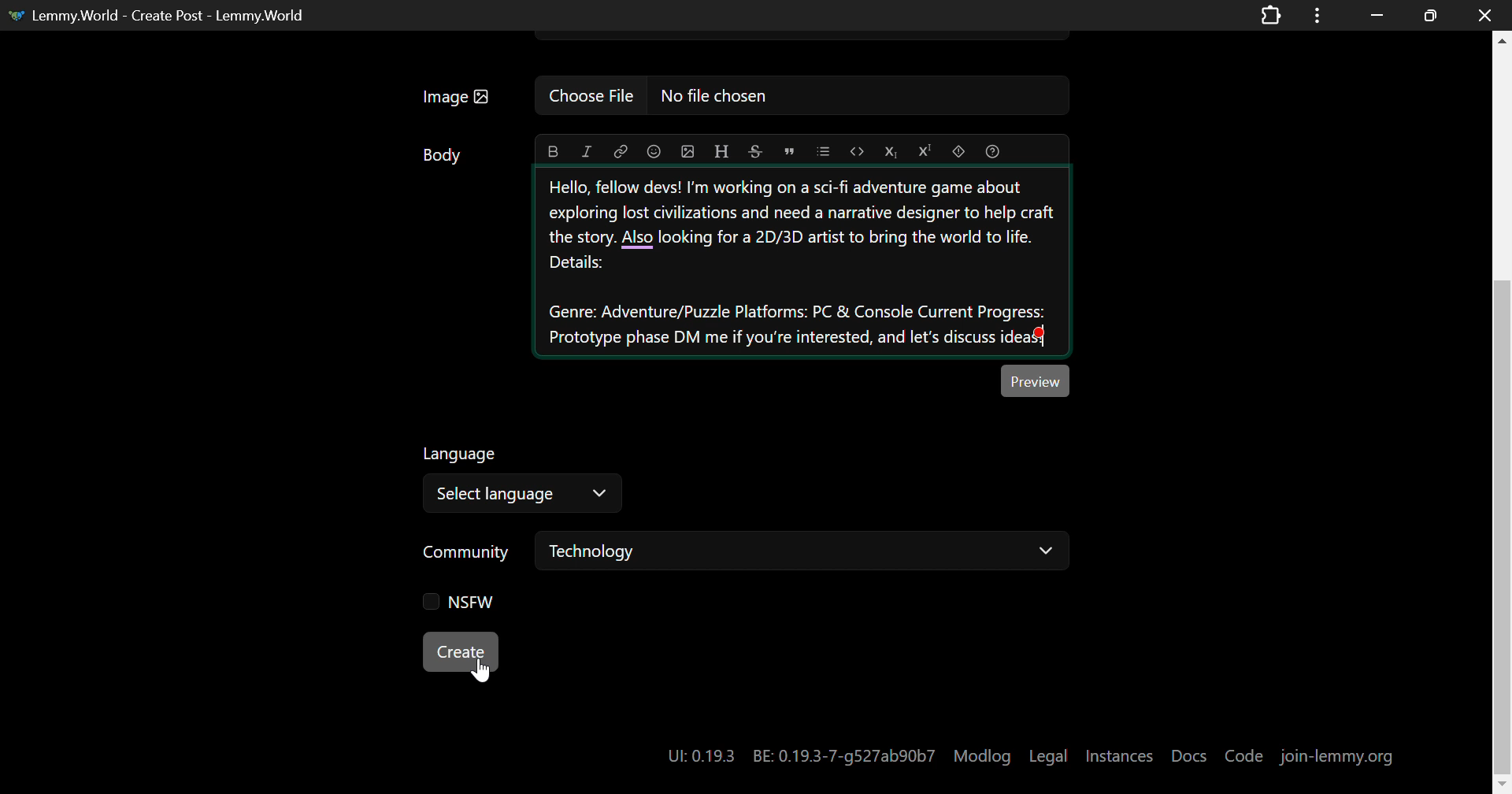 The image size is (1512, 794). I want to click on Language, so click(461, 455).